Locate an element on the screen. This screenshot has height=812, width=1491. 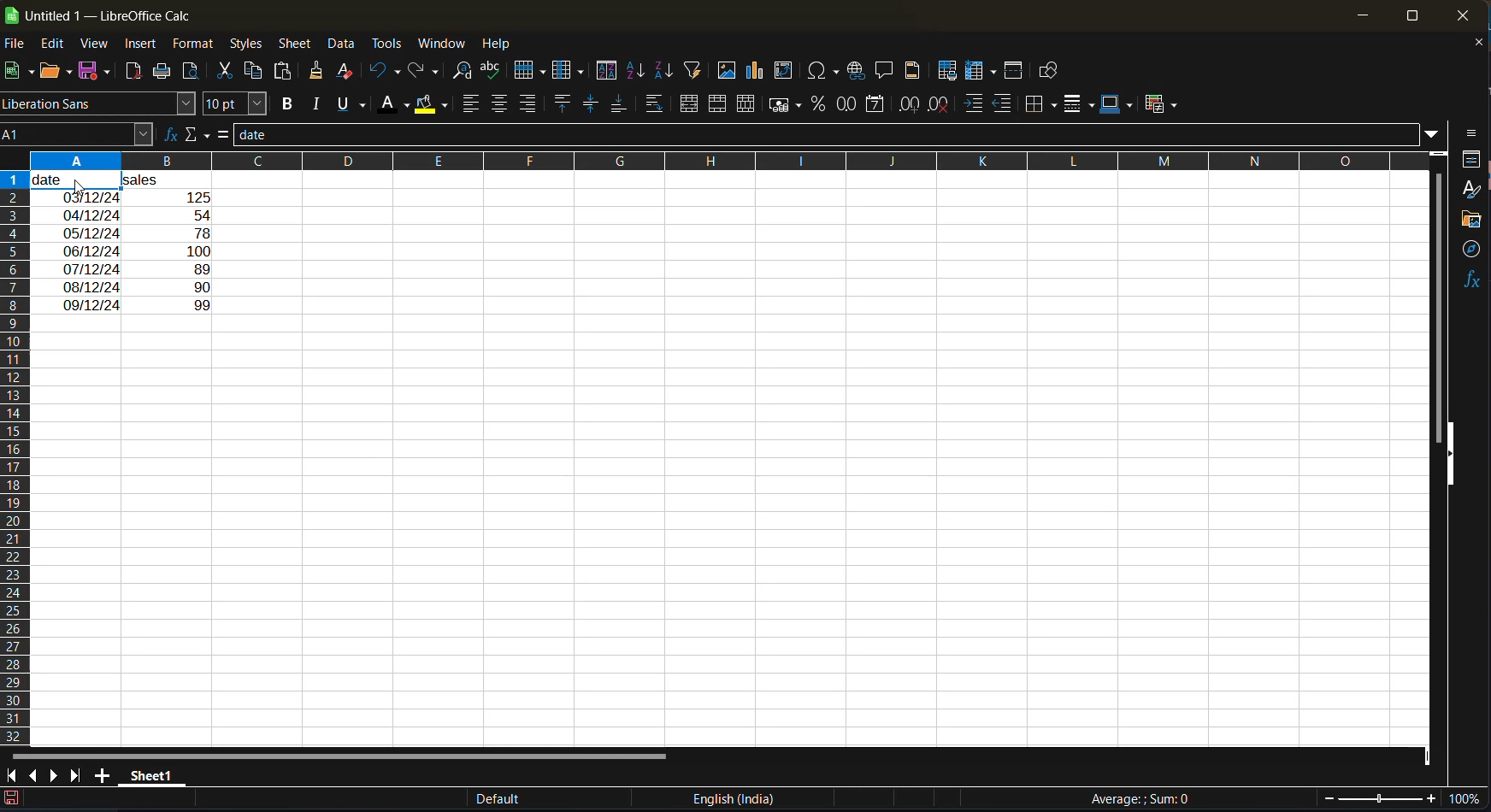
italic is located at coordinates (320, 104).